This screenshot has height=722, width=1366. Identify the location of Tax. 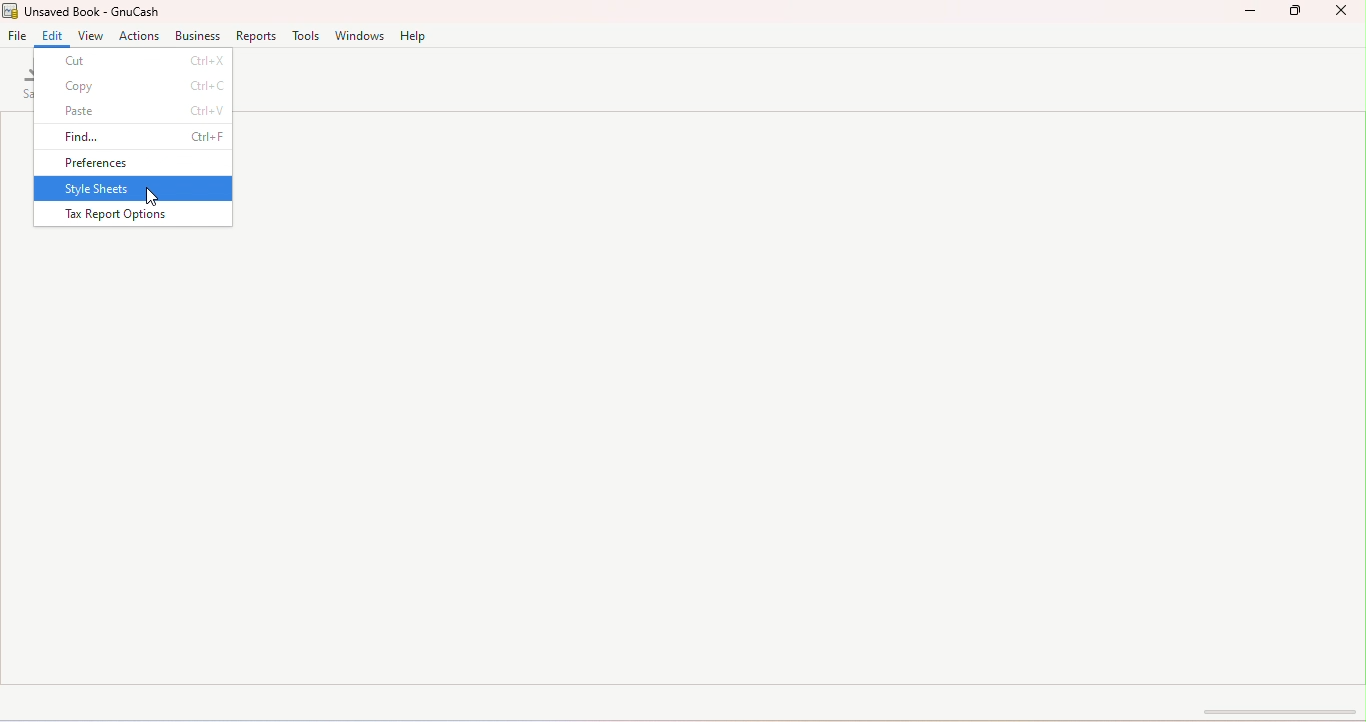
(132, 215).